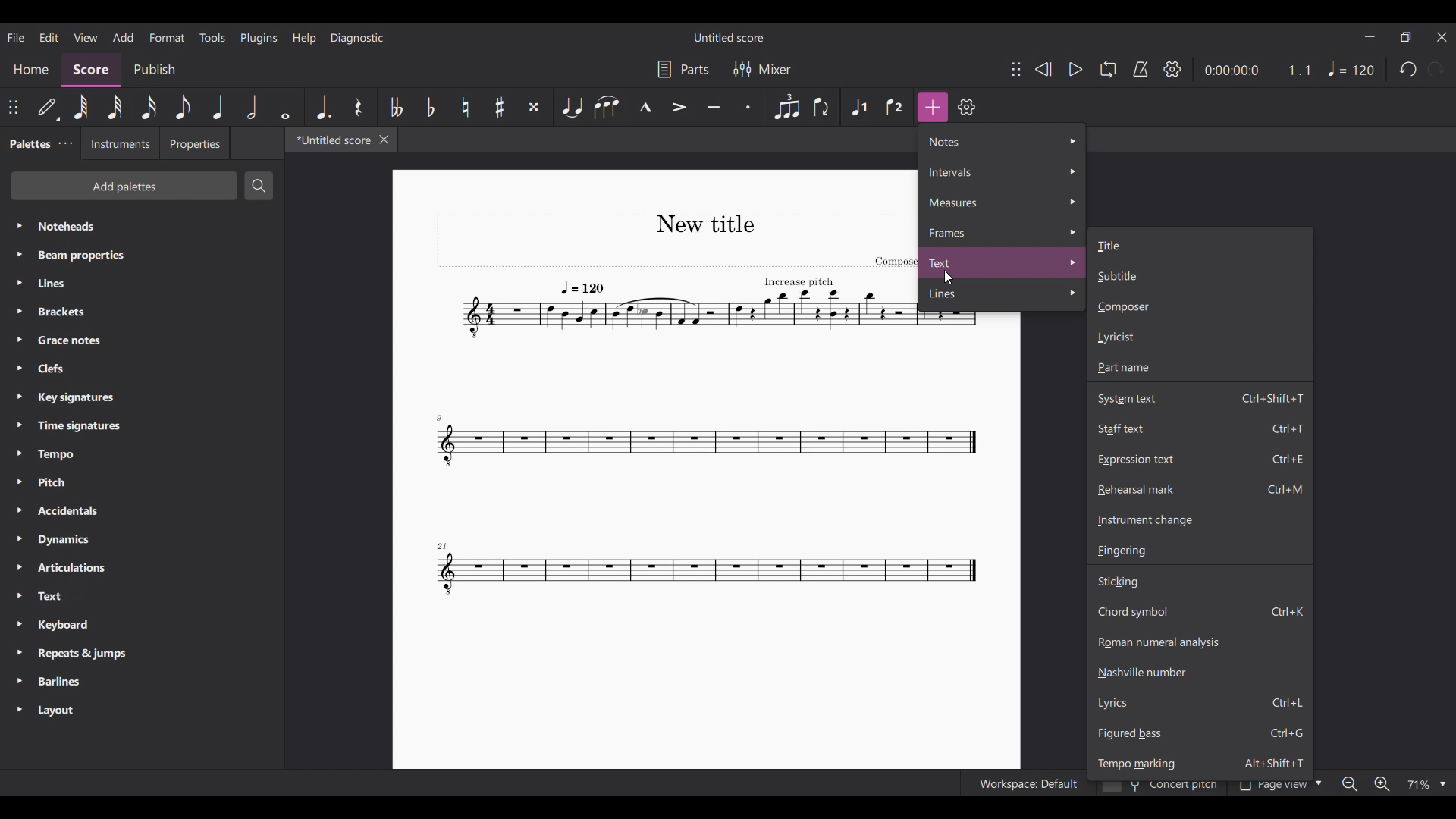 The width and height of the screenshot is (1456, 819). Describe the element at coordinates (1200, 459) in the screenshot. I see `Expression text` at that location.